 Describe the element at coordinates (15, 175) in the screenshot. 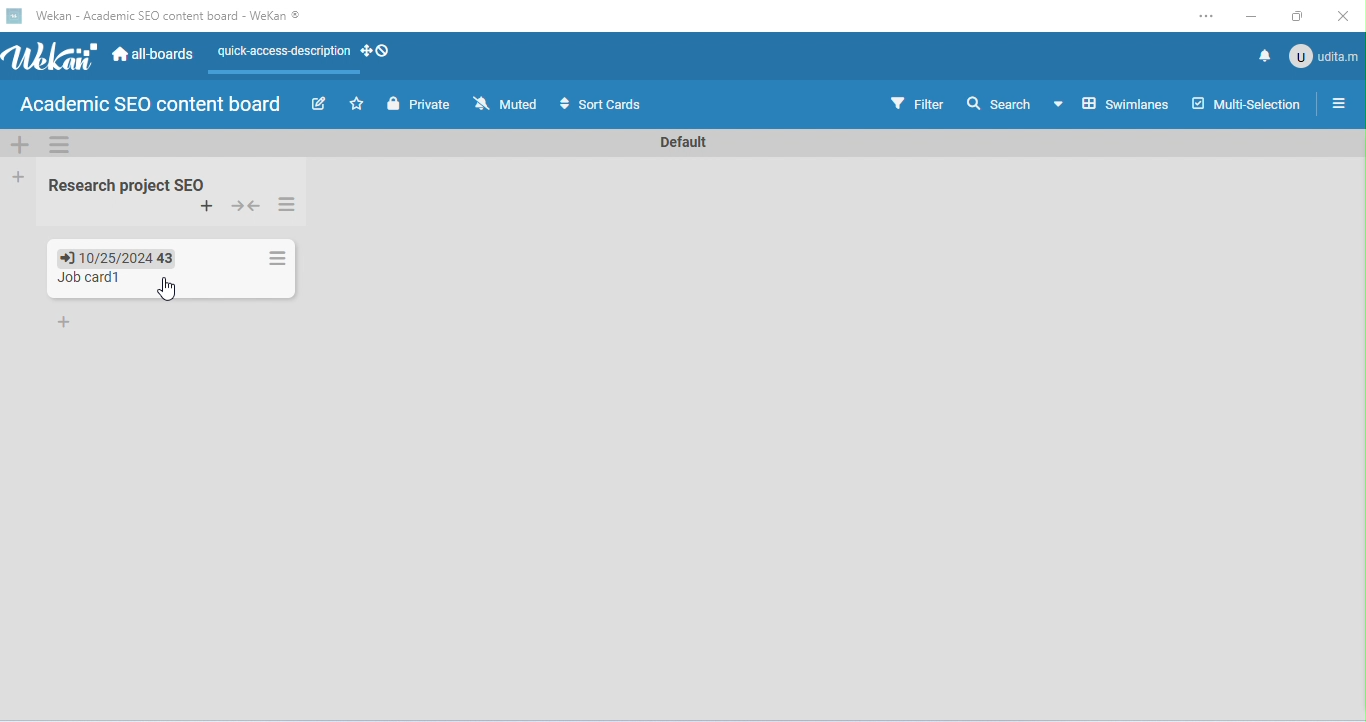

I see `add list` at that location.